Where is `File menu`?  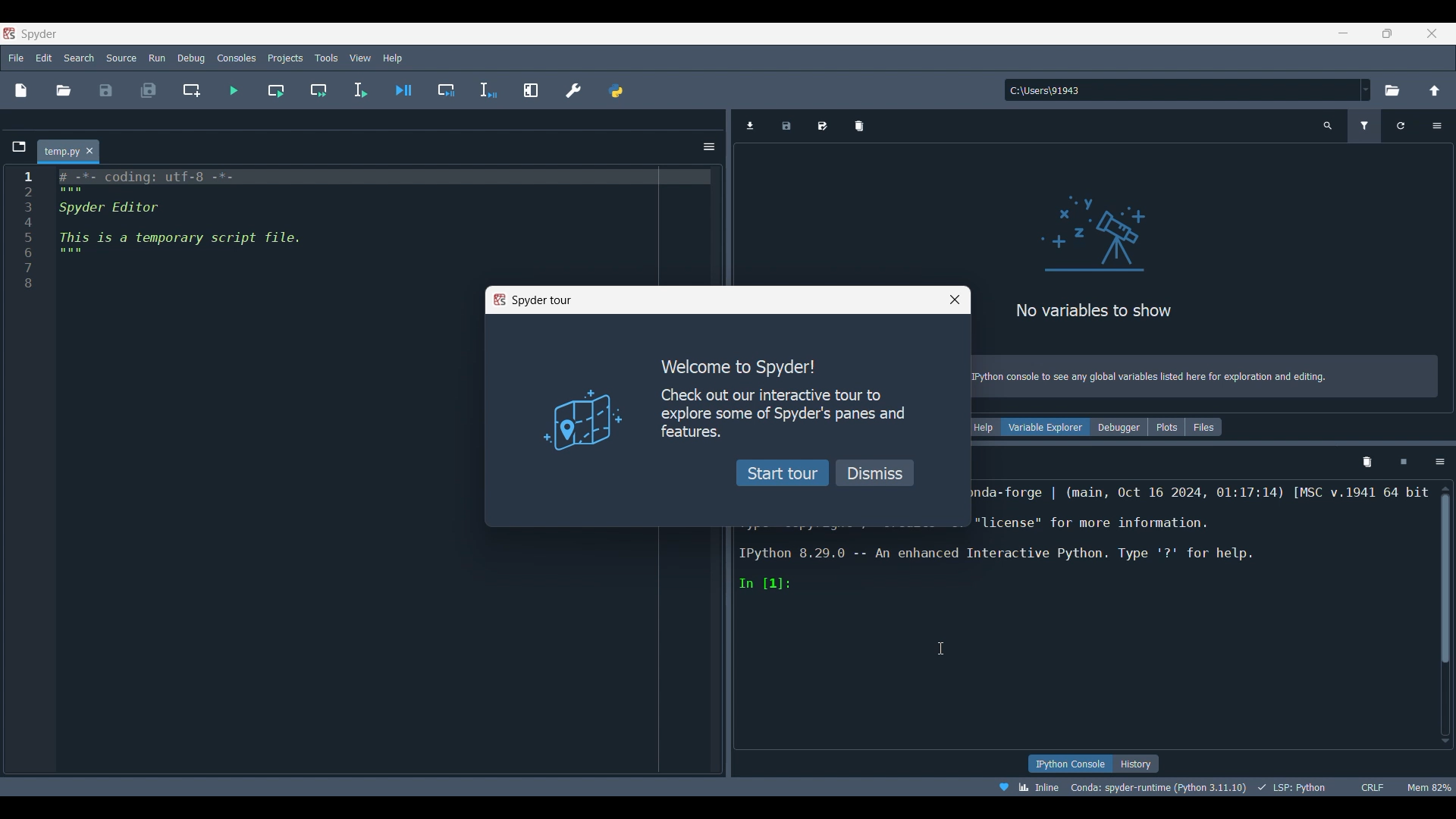
File menu is located at coordinates (16, 58).